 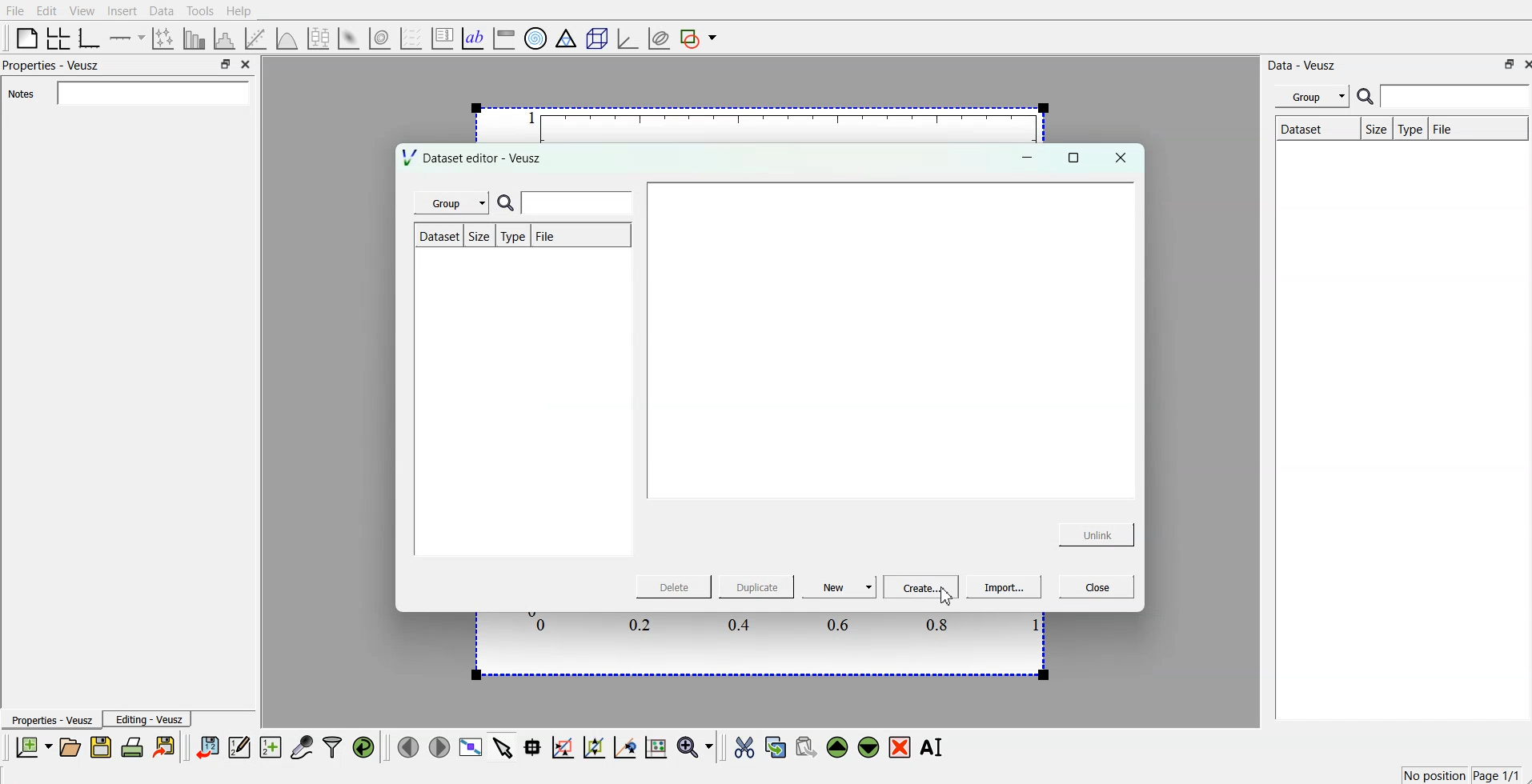 I want to click on search bar, so click(x=1443, y=96).